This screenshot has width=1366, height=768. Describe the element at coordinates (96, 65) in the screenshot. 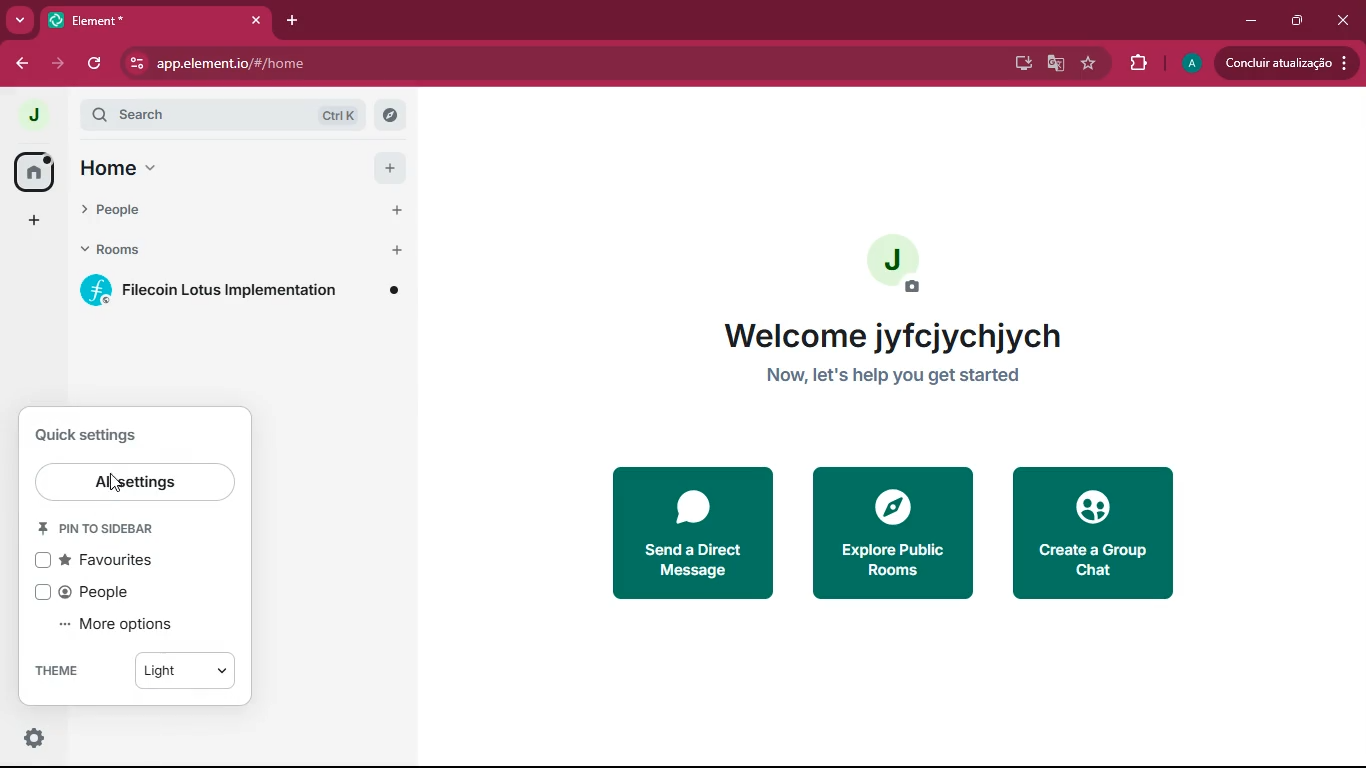

I see `refresh` at that location.